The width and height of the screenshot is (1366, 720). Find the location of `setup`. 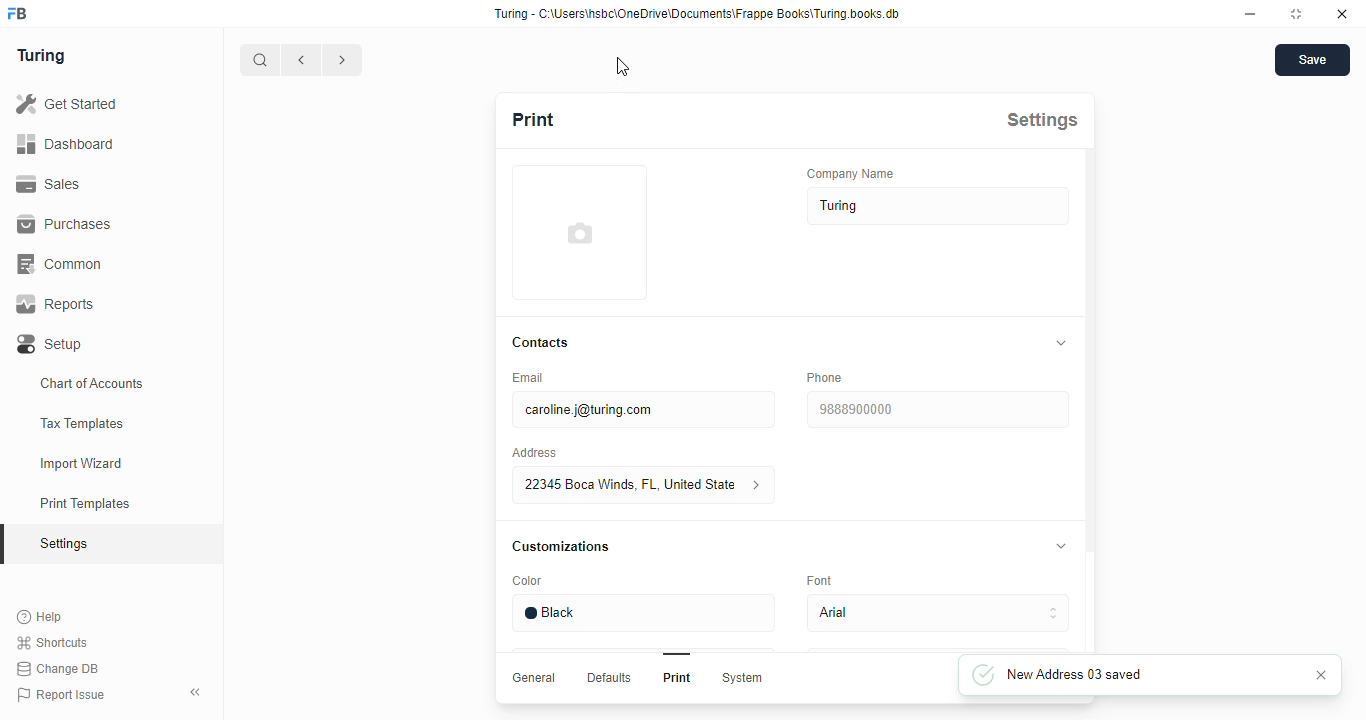

setup is located at coordinates (51, 345).